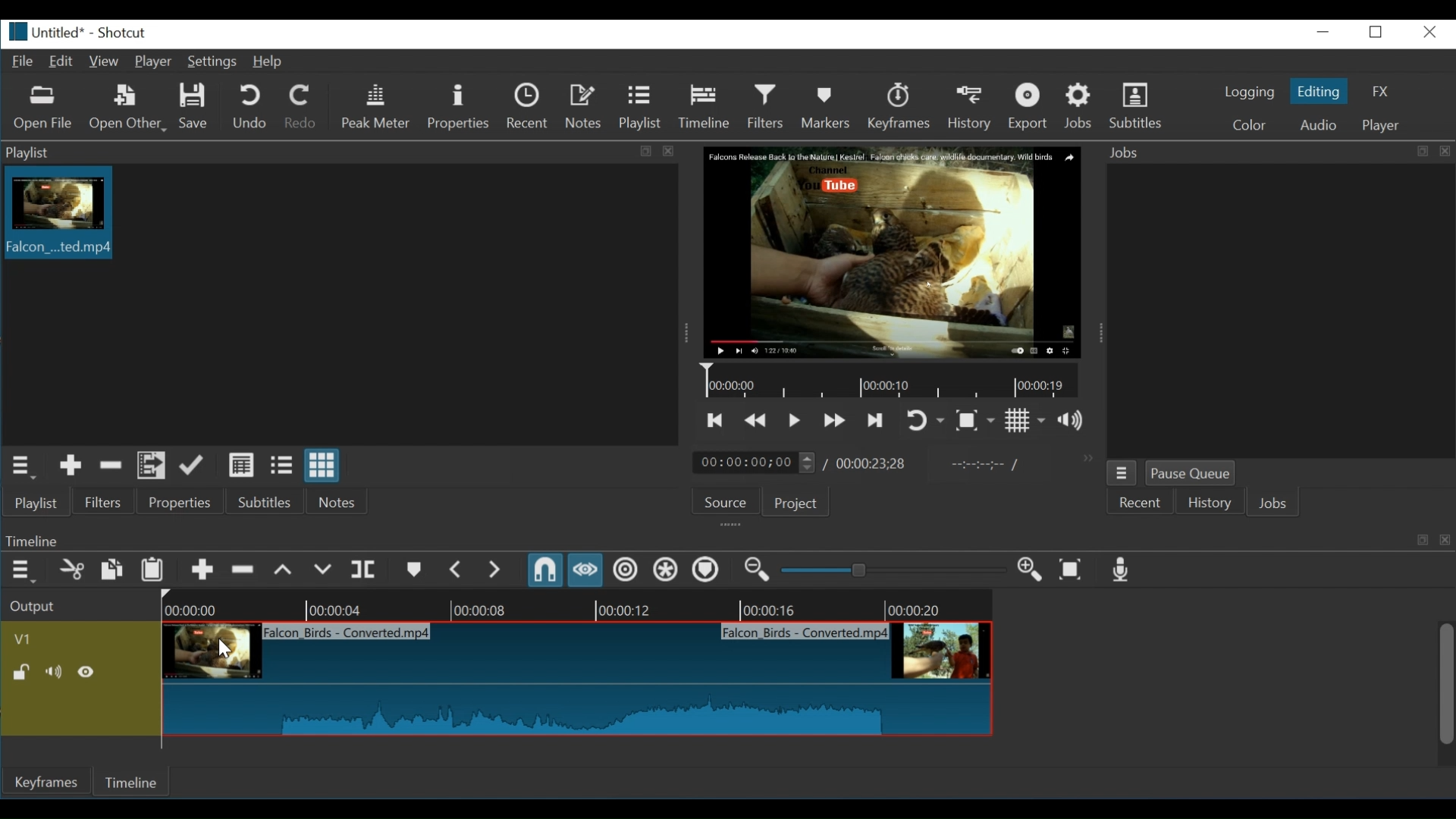  What do you see at coordinates (1379, 126) in the screenshot?
I see `Player` at bounding box center [1379, 126].